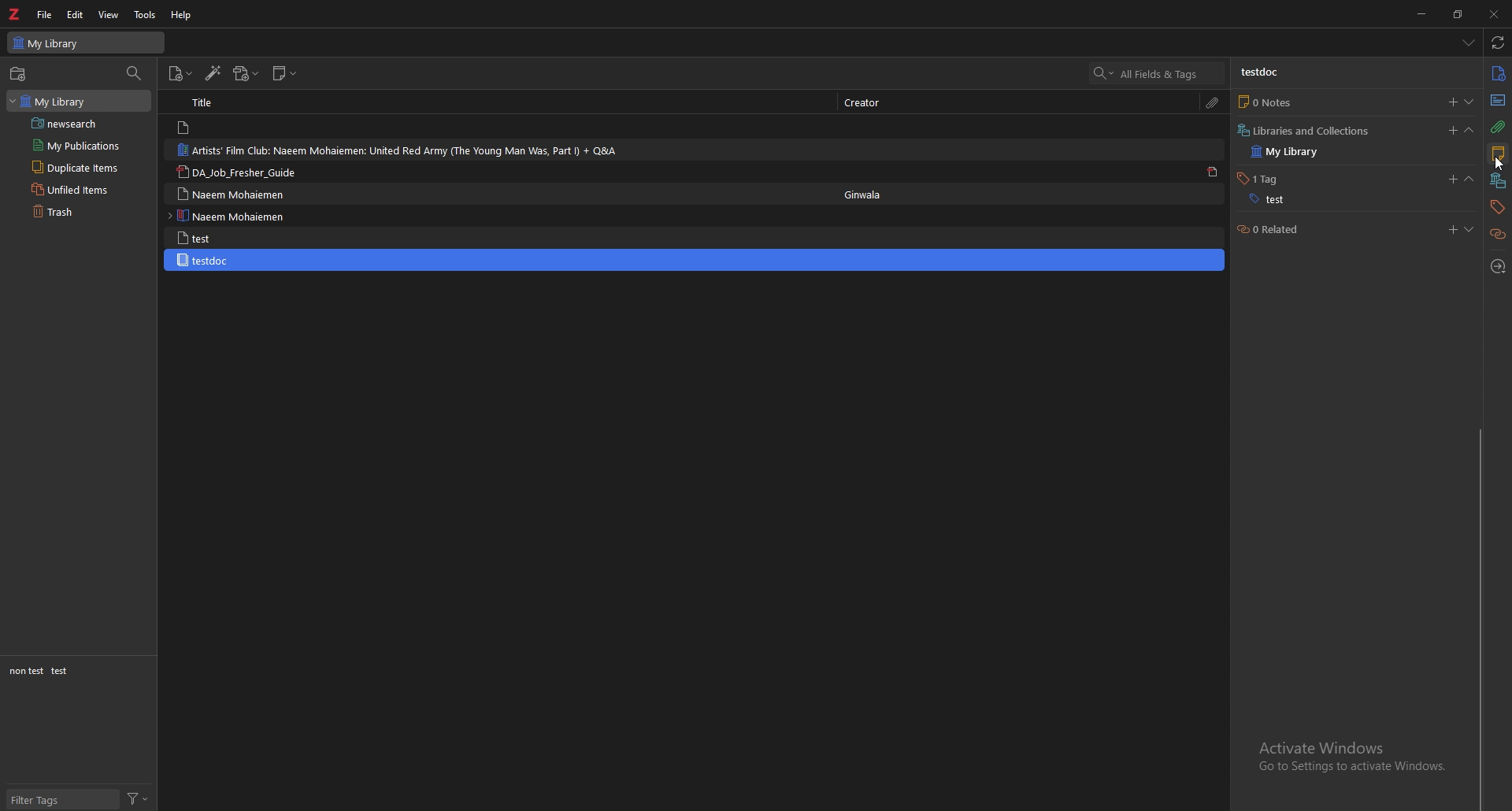 The width and height of the screenshot is (1512, 811). Describe the element at coordinates (20, 73) in the screenshot. I see `new collections` at that location.